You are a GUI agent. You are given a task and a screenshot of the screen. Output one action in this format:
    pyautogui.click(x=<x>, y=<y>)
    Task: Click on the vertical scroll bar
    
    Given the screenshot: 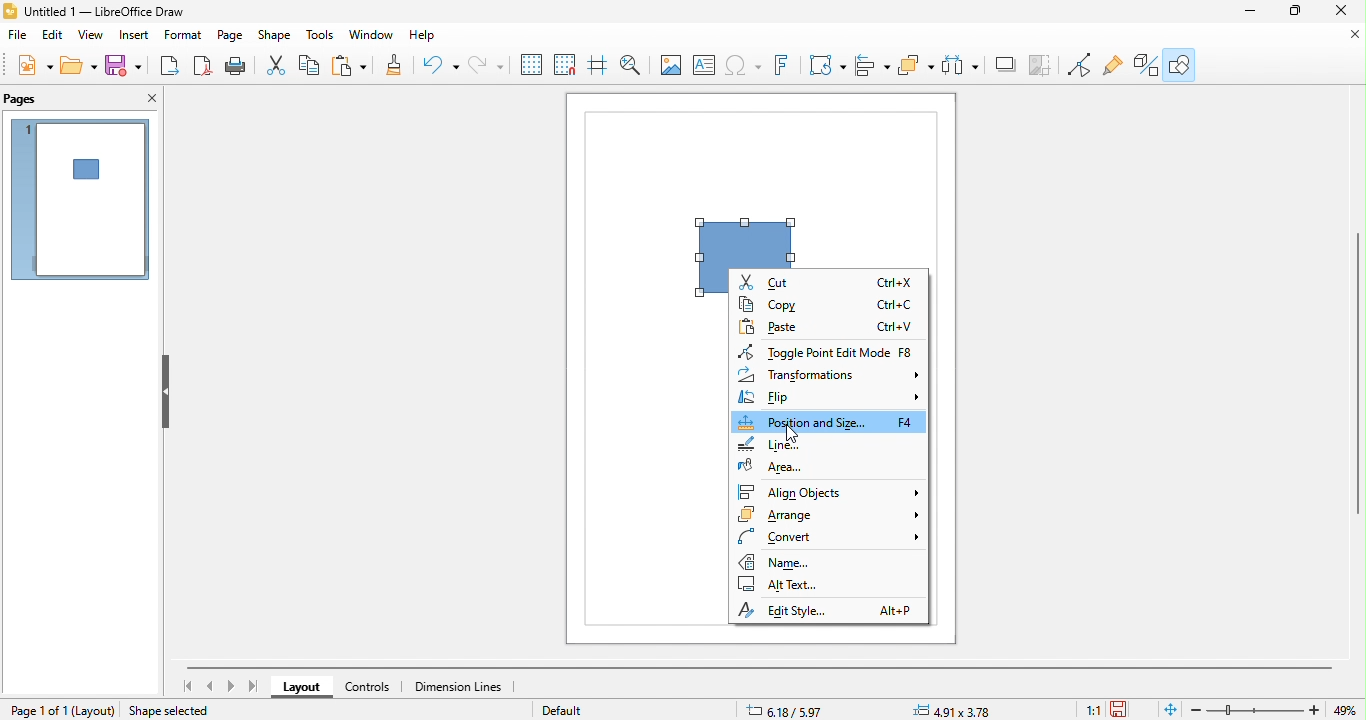 What is the action you would take?
    pyautogui.click(x=1357, y=372)
    